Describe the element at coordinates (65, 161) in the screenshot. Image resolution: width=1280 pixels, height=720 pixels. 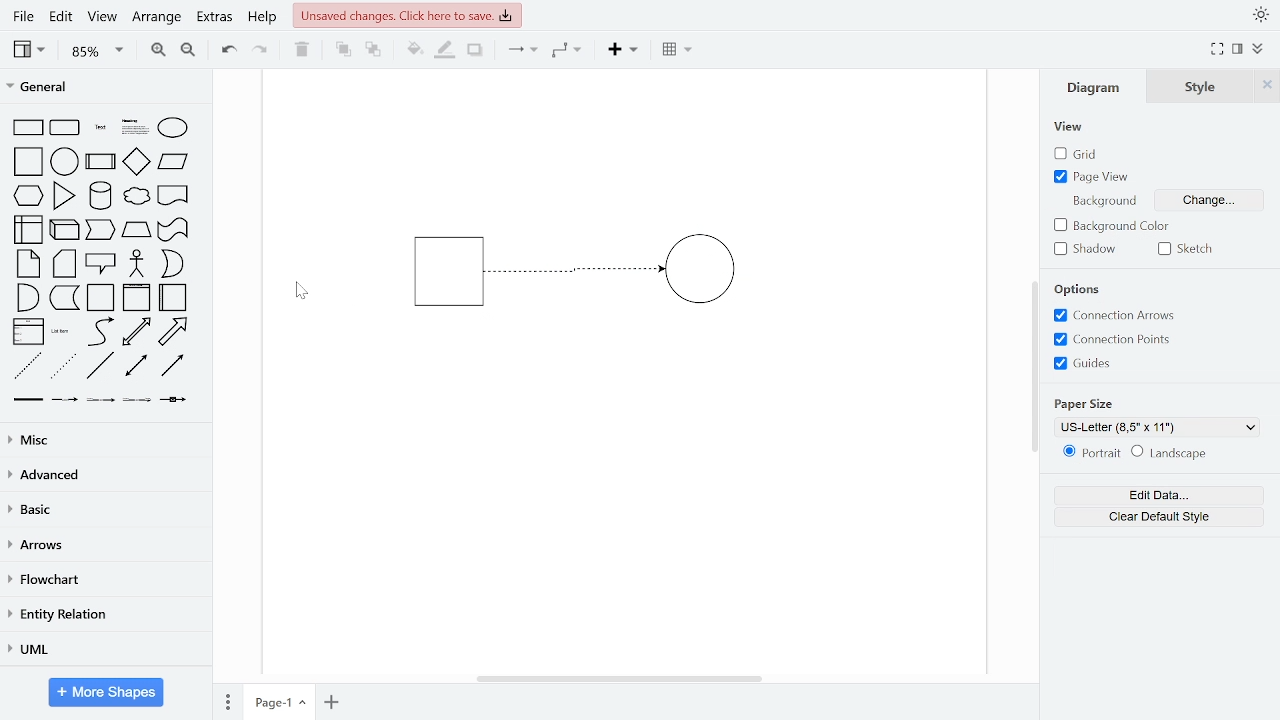
I see `circle` at that location.